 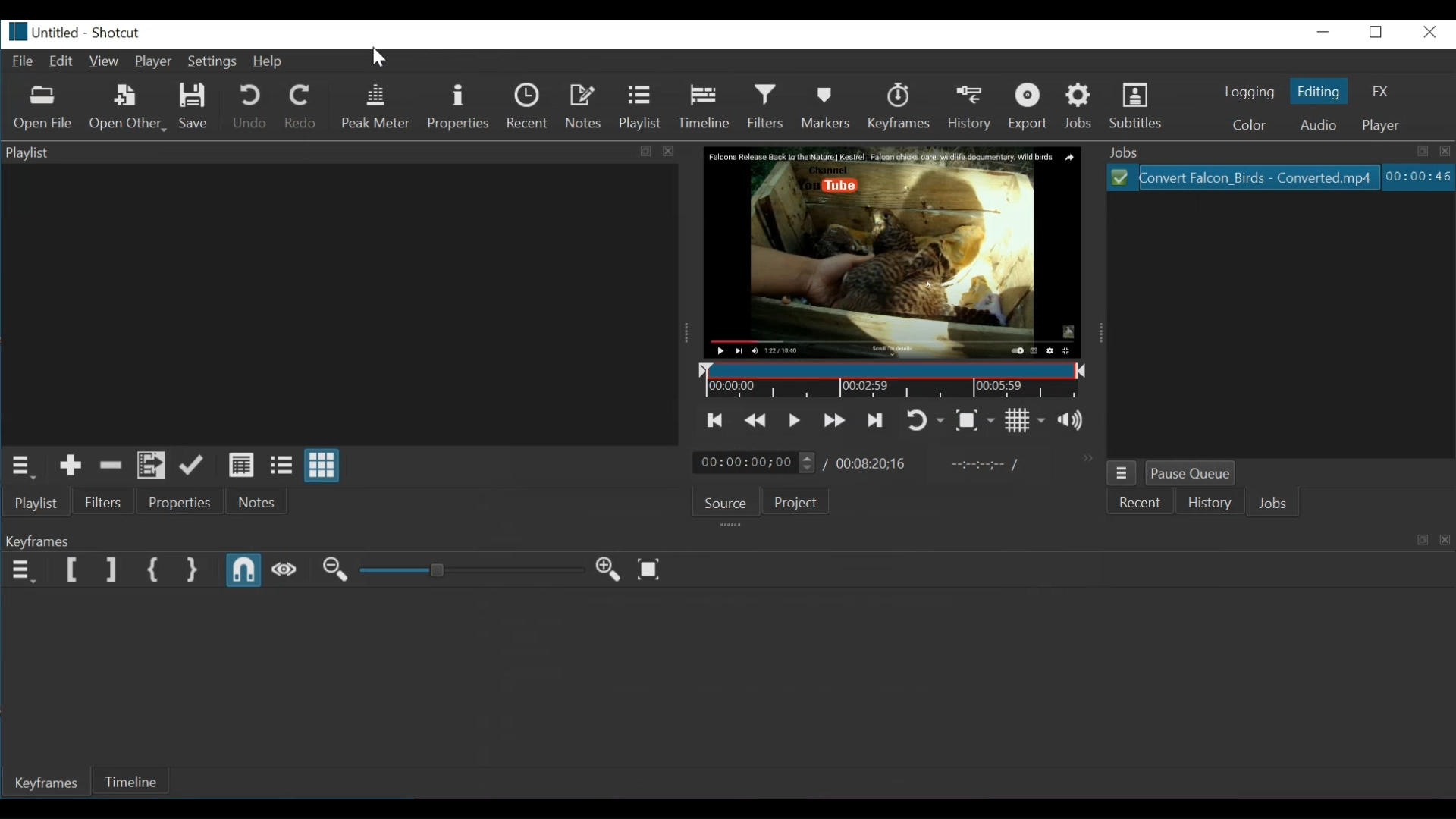 I want to click on History, so click(x=971, y=107).